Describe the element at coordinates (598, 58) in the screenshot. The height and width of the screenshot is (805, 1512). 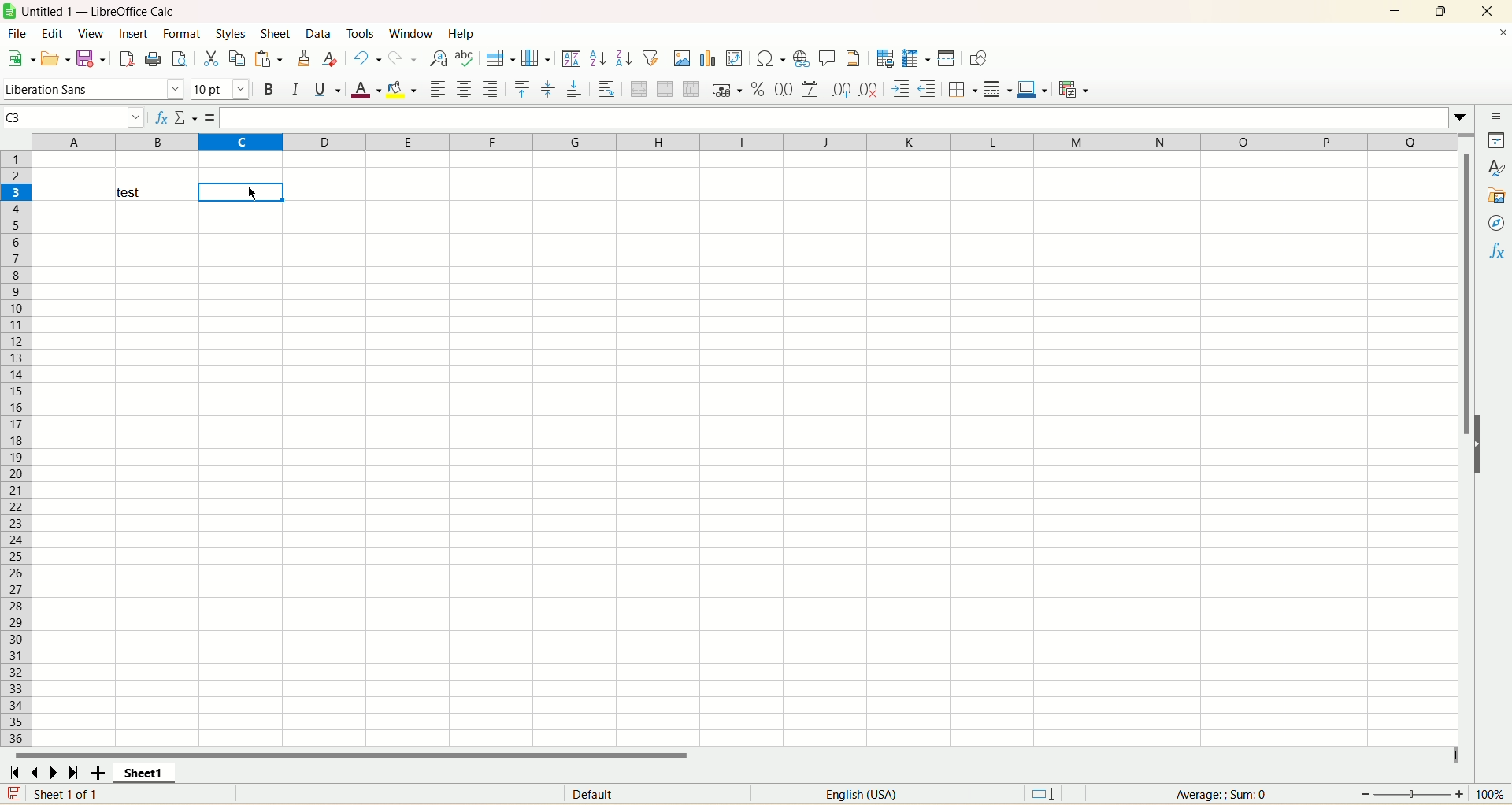
I see `sort ascending` at that location.